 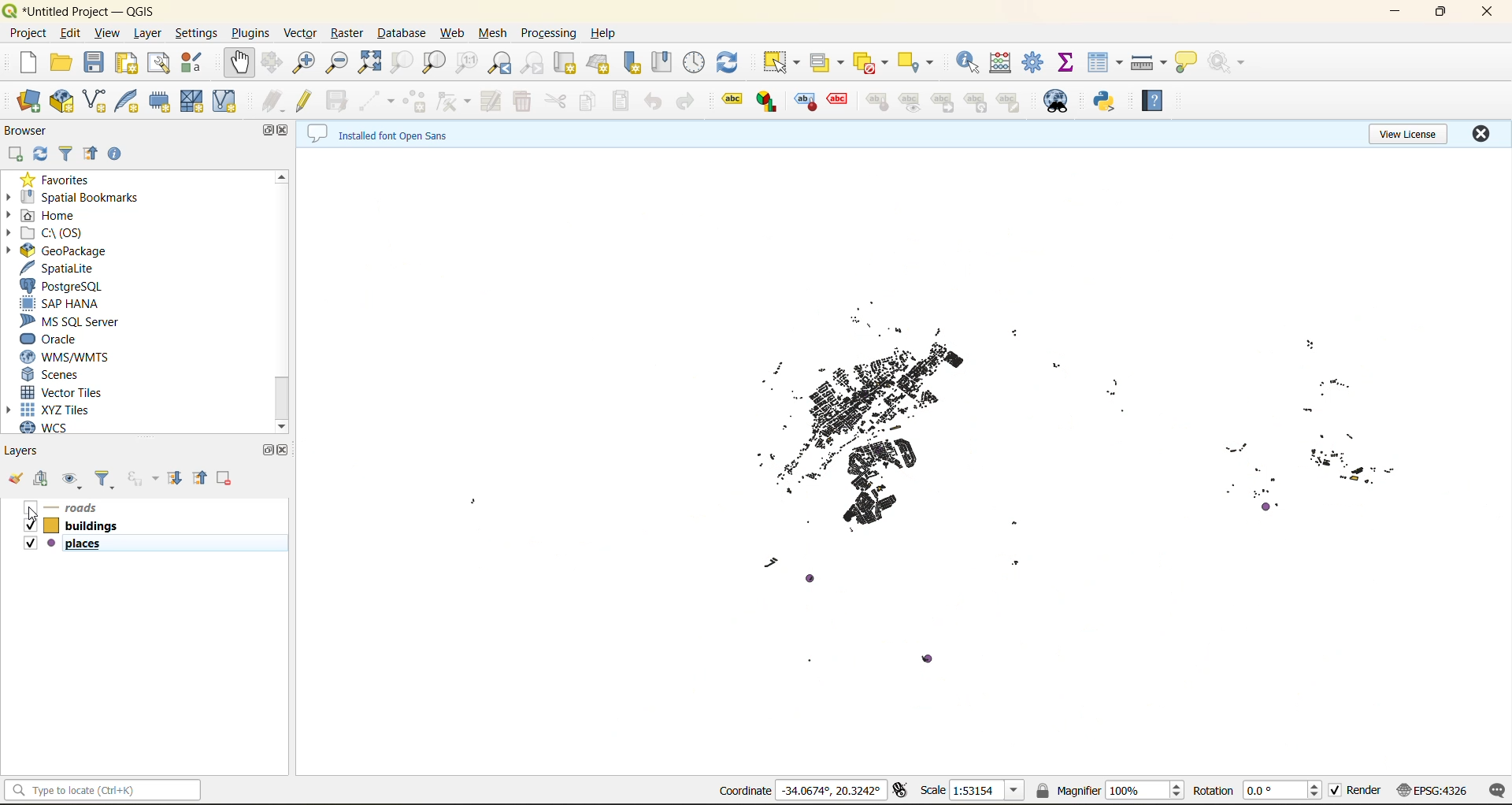 What do you see at coordinates (69, 286) in the screenshot?
I see `postgresql` at bounding box center [69, 286].